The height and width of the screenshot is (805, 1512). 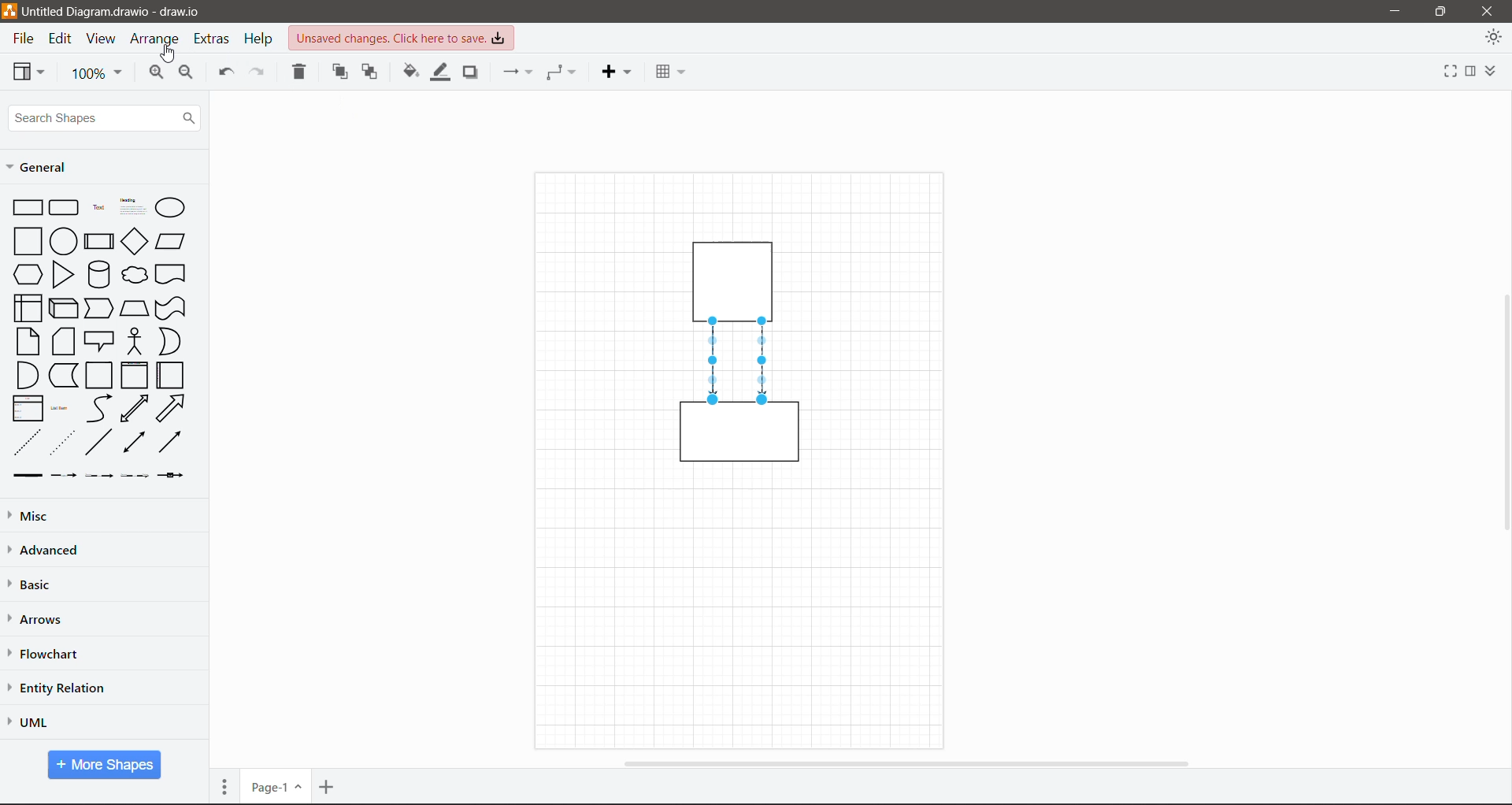 What do you see at coordinates (62, 307) in the screenshot?
I see `Cube` at bounding box center [62, 307].